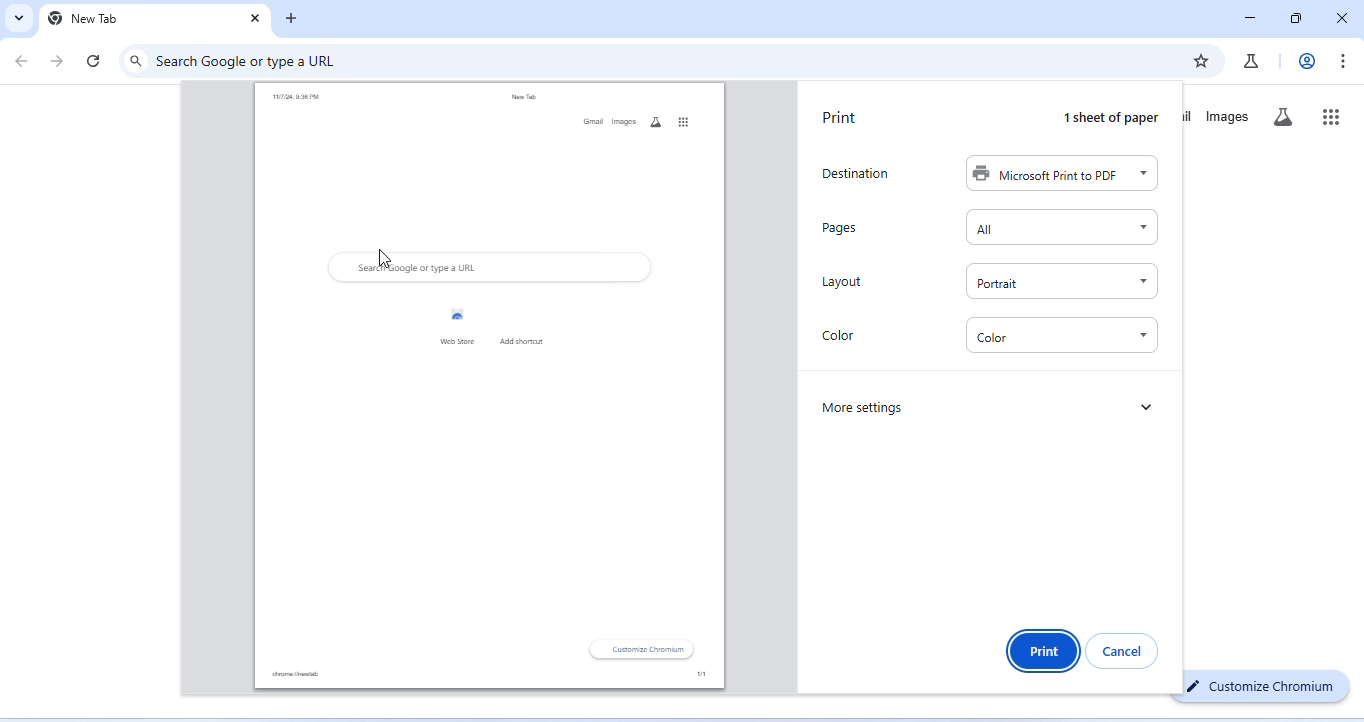 Image resolution: width=1364 pixels, height=722 pixels. I want to click on google apps, so click(683, 121).